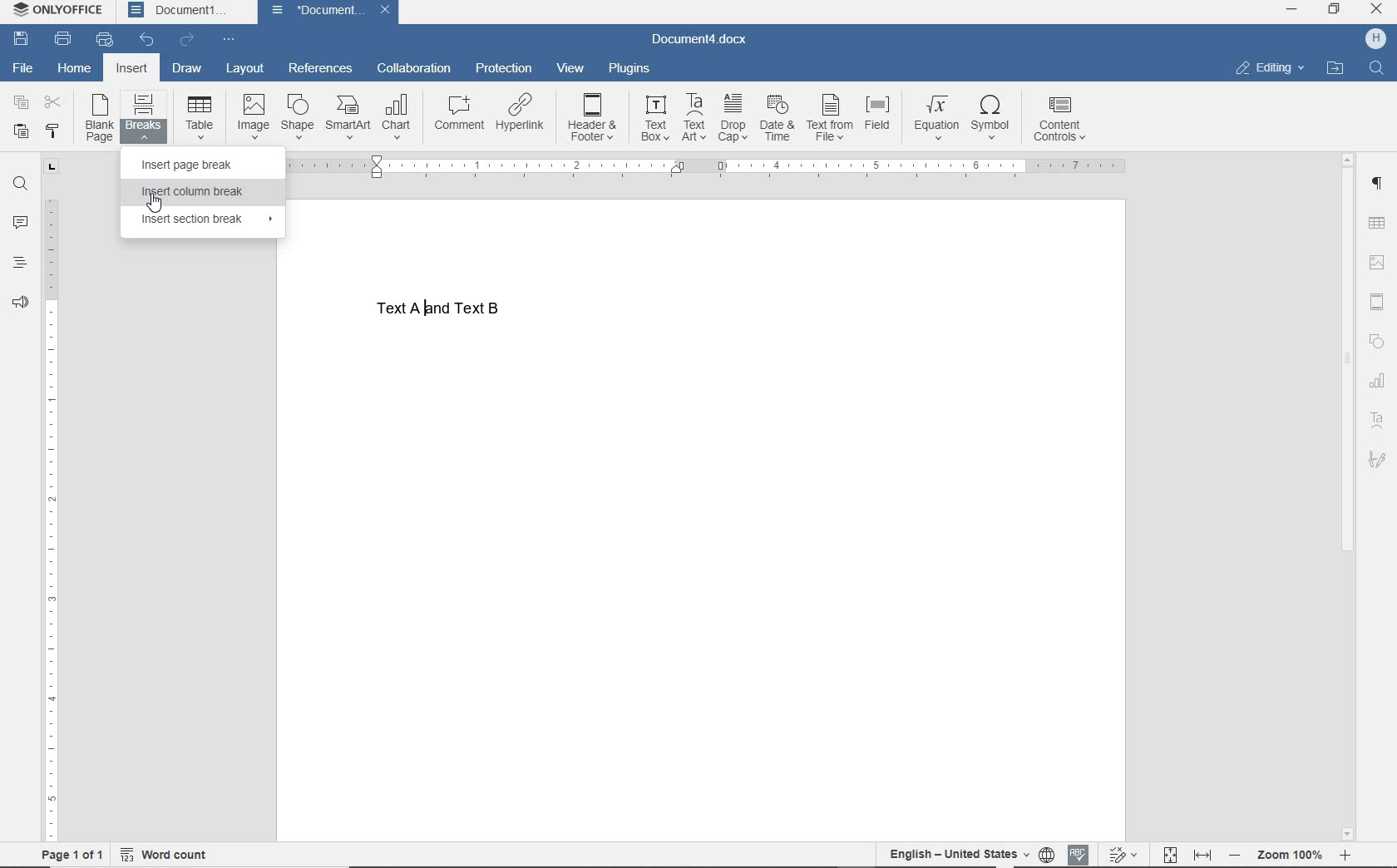 The width and height of the screenshot is (1397, 868). I want to click on TEXT ART, so click(1377, 419).